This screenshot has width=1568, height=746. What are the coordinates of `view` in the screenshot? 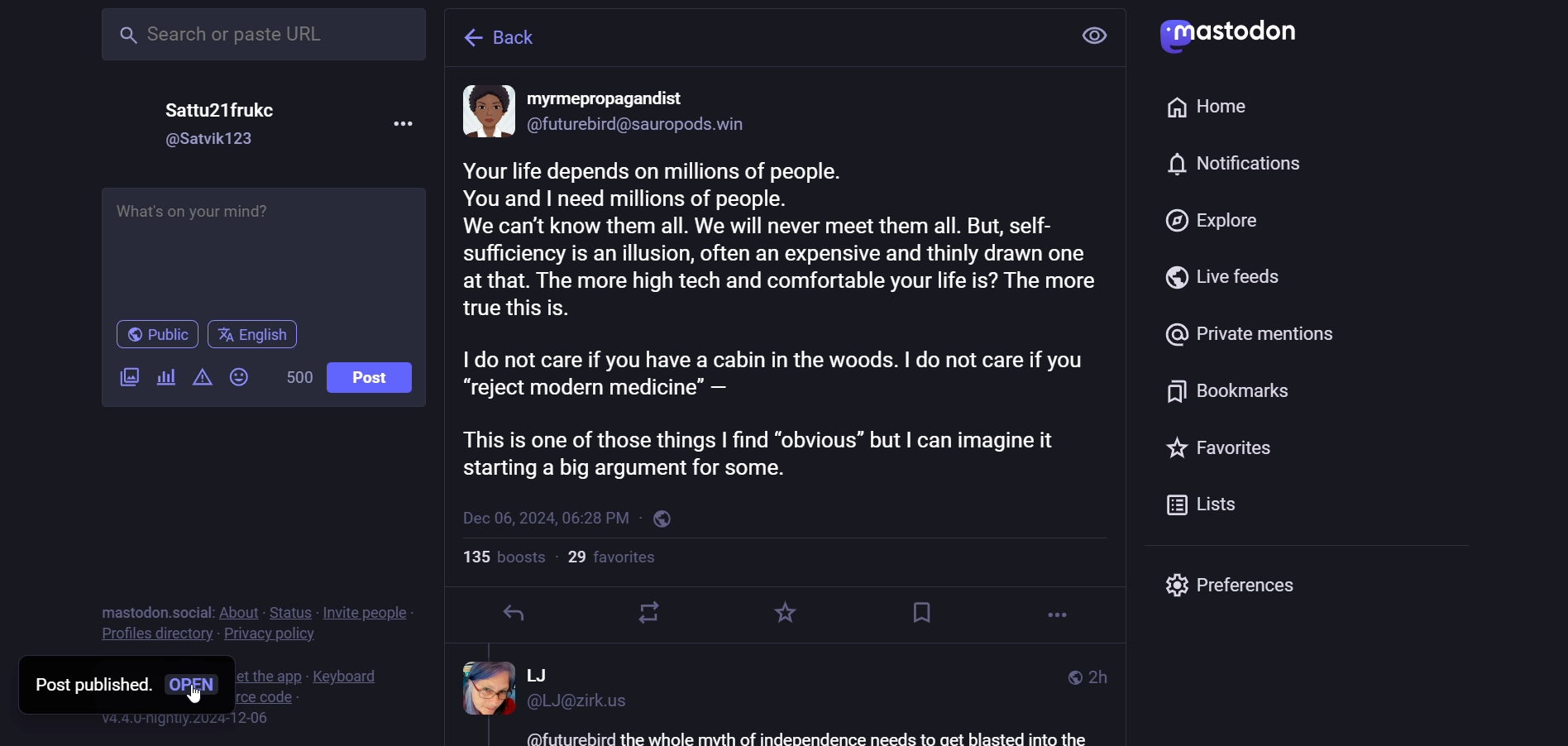 It's located at (1099, 36).